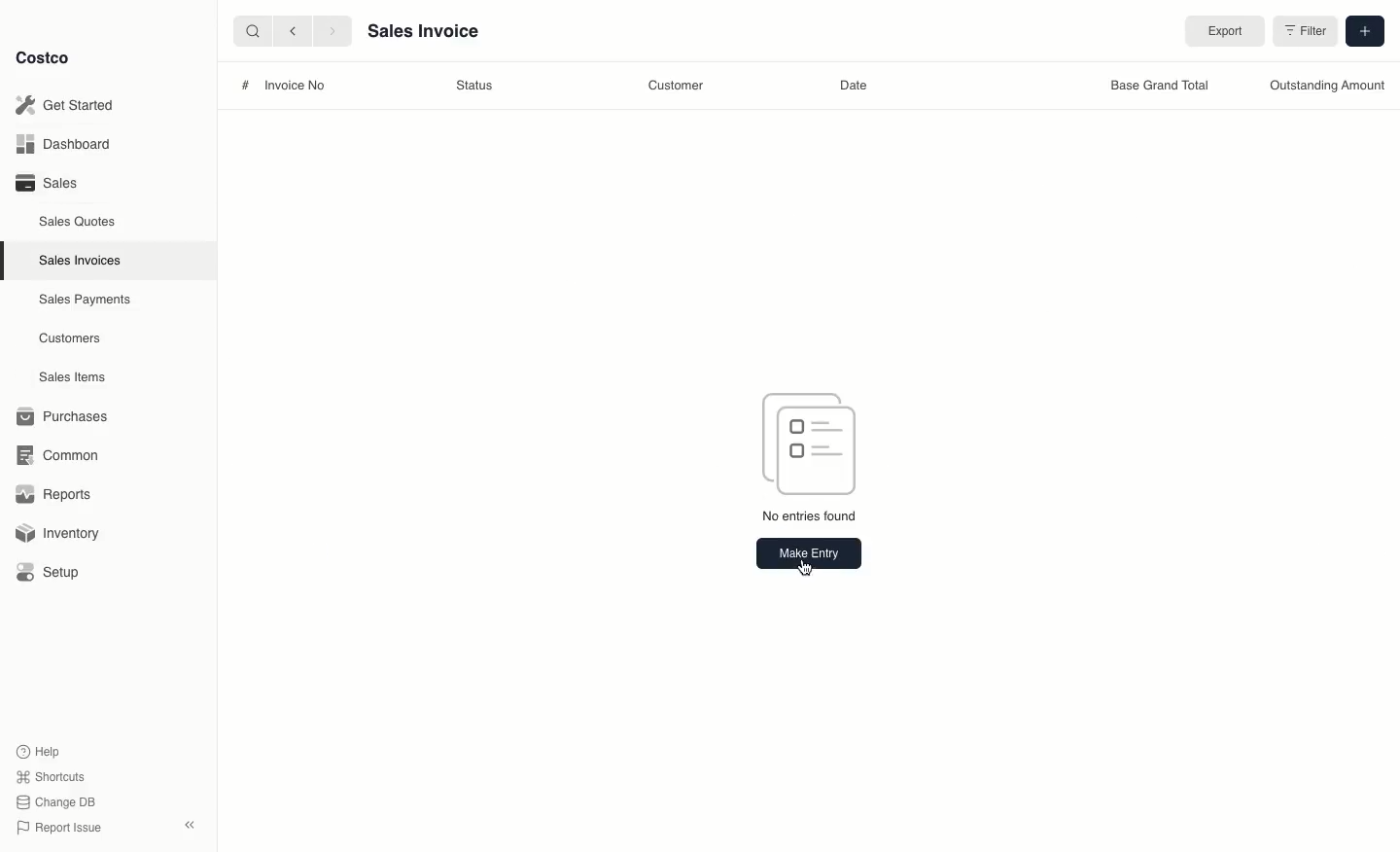 The height and width of the screenshot is (852, 1400). I want to click on Search, so click(250, 30).